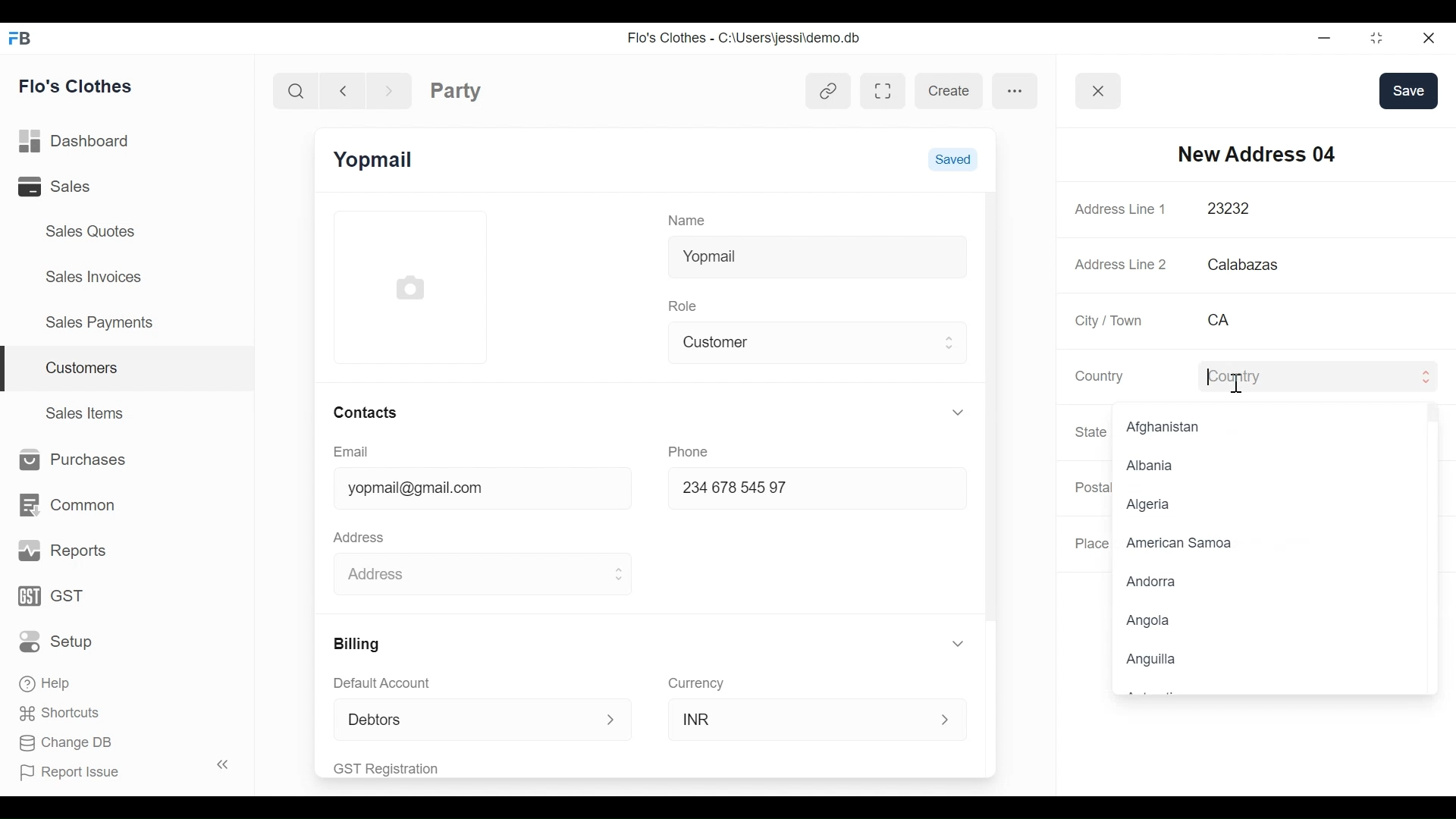 The height and width of the screenshot is (819, 1456). What do you see at coordinates (389, 89) in the screenshot?
I see `Navigate Forward` at bounding box center [389, 89].